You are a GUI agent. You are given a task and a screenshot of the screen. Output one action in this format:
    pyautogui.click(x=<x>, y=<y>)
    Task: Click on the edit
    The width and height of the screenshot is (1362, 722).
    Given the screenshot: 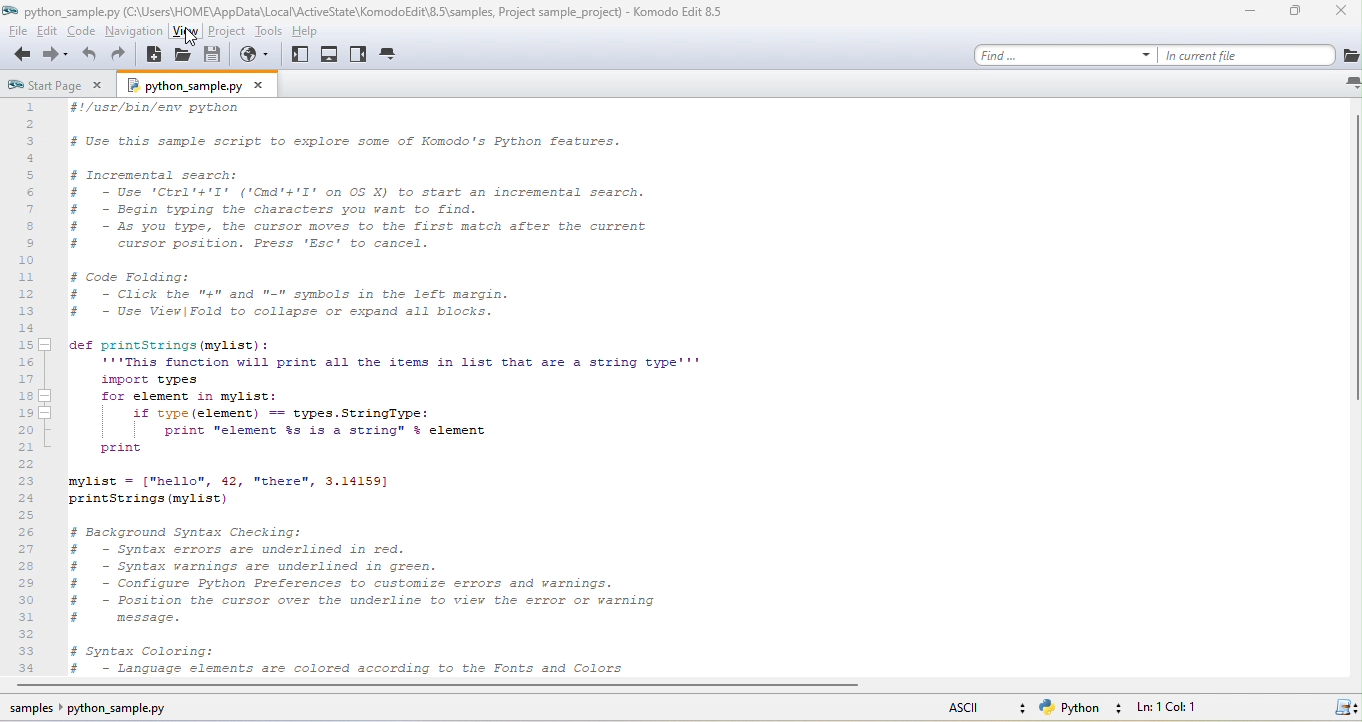 What is the action you would take?
    pyautogui.click(x=48, y=35)
    